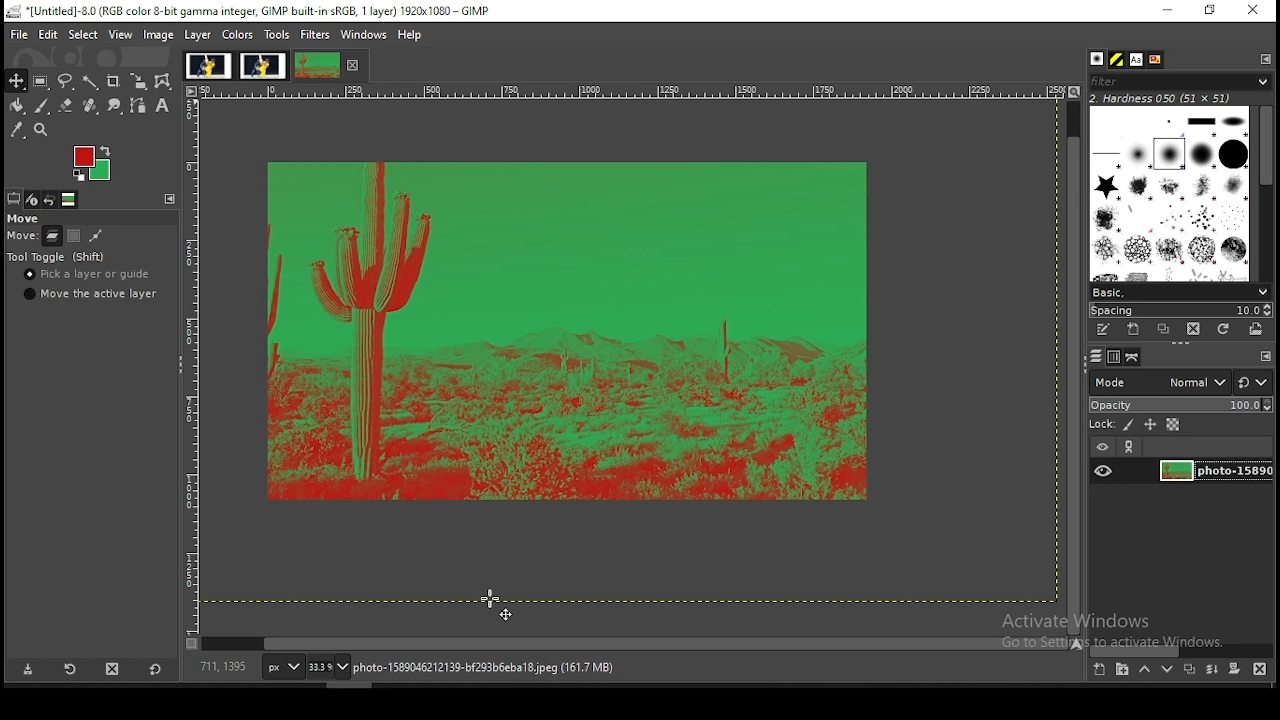 The height and width of the screenshot is (720, 1280). What do you see at coordinates (362, 34) in the screenshot?
I see `windows` at bounding box center [362, 34].